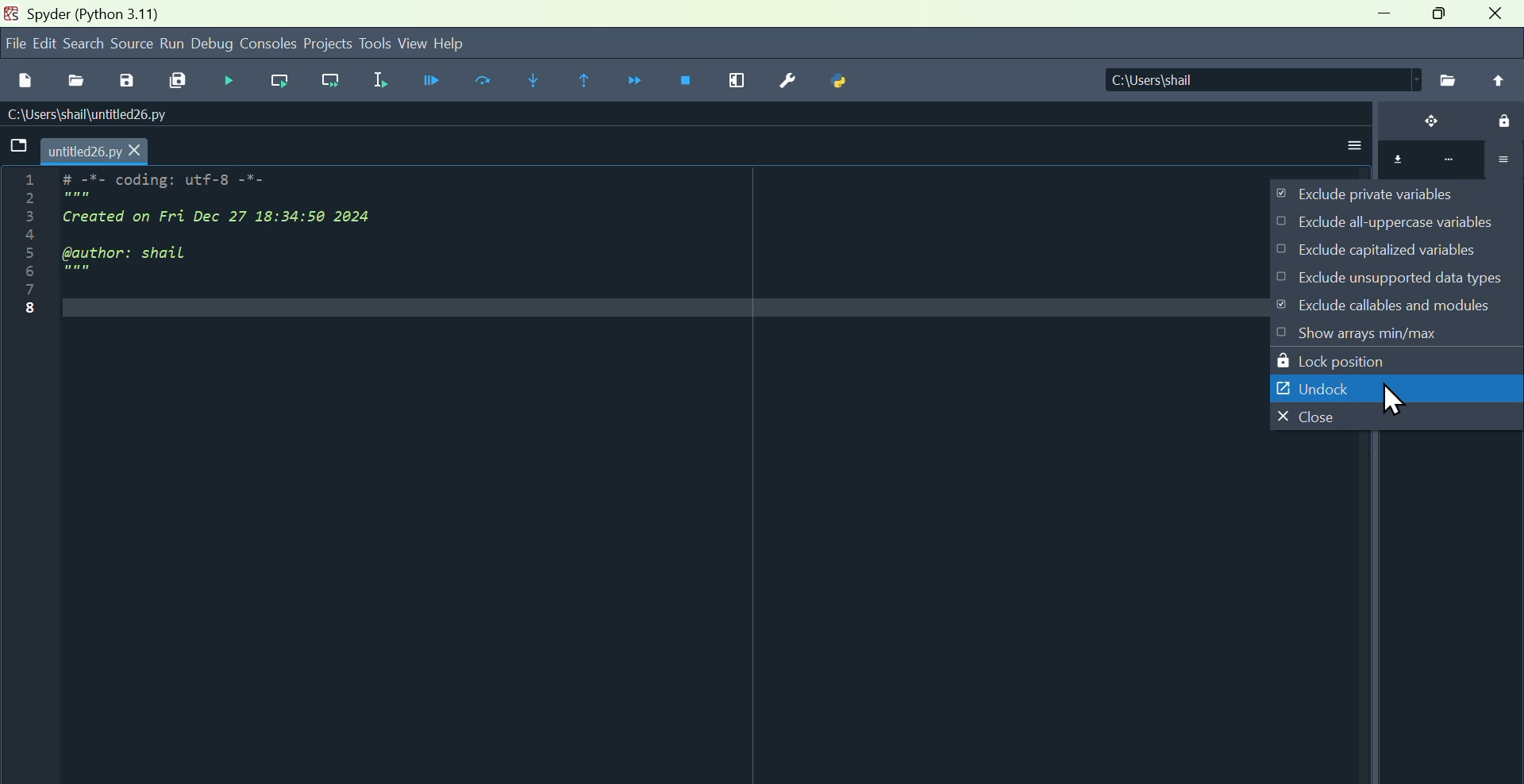  What do you see at coordinates (74, 78) in the screenshot?
I see `Open file` at bounding box center [74, 78].